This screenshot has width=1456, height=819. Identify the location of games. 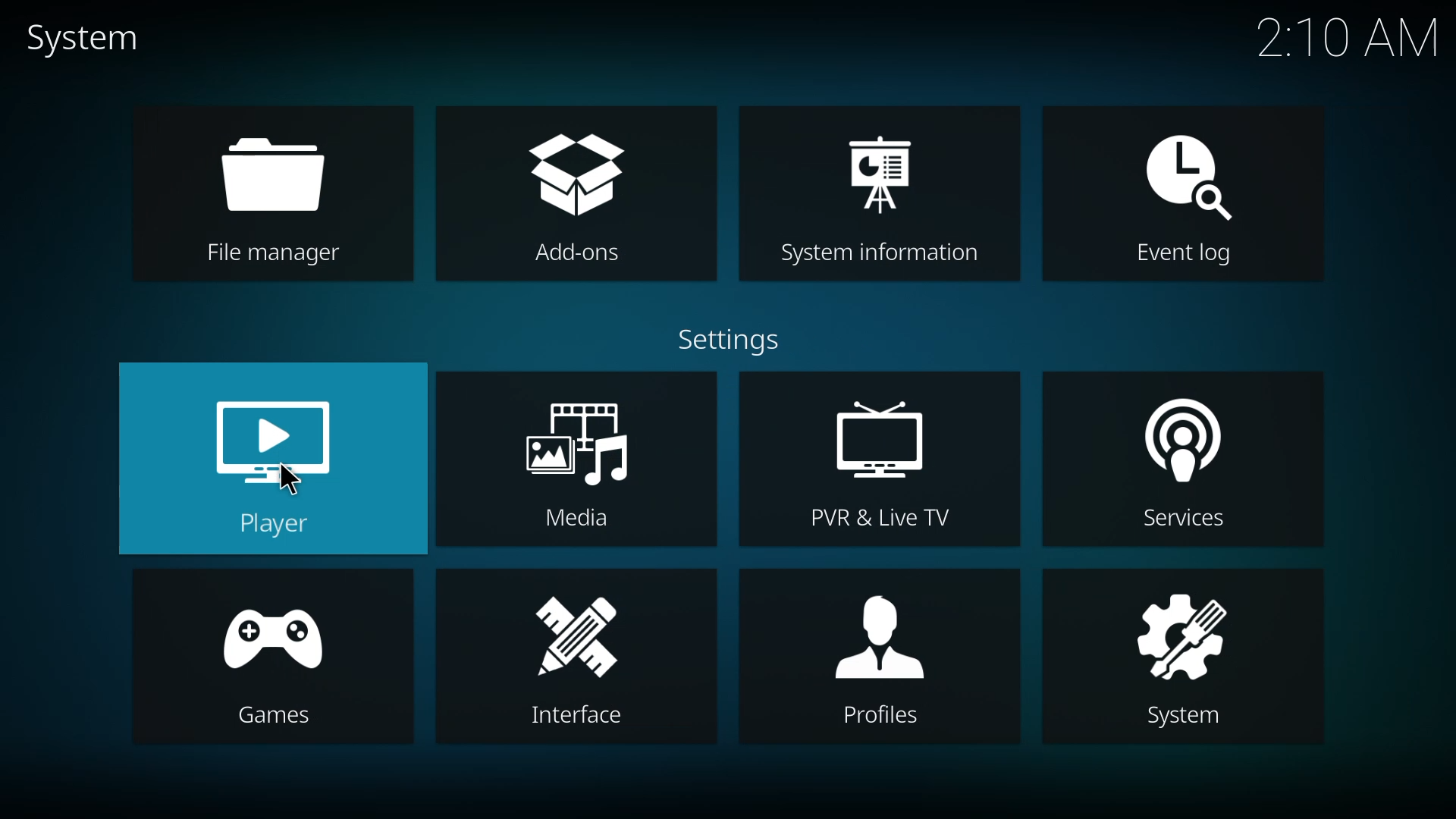
(270, 658).